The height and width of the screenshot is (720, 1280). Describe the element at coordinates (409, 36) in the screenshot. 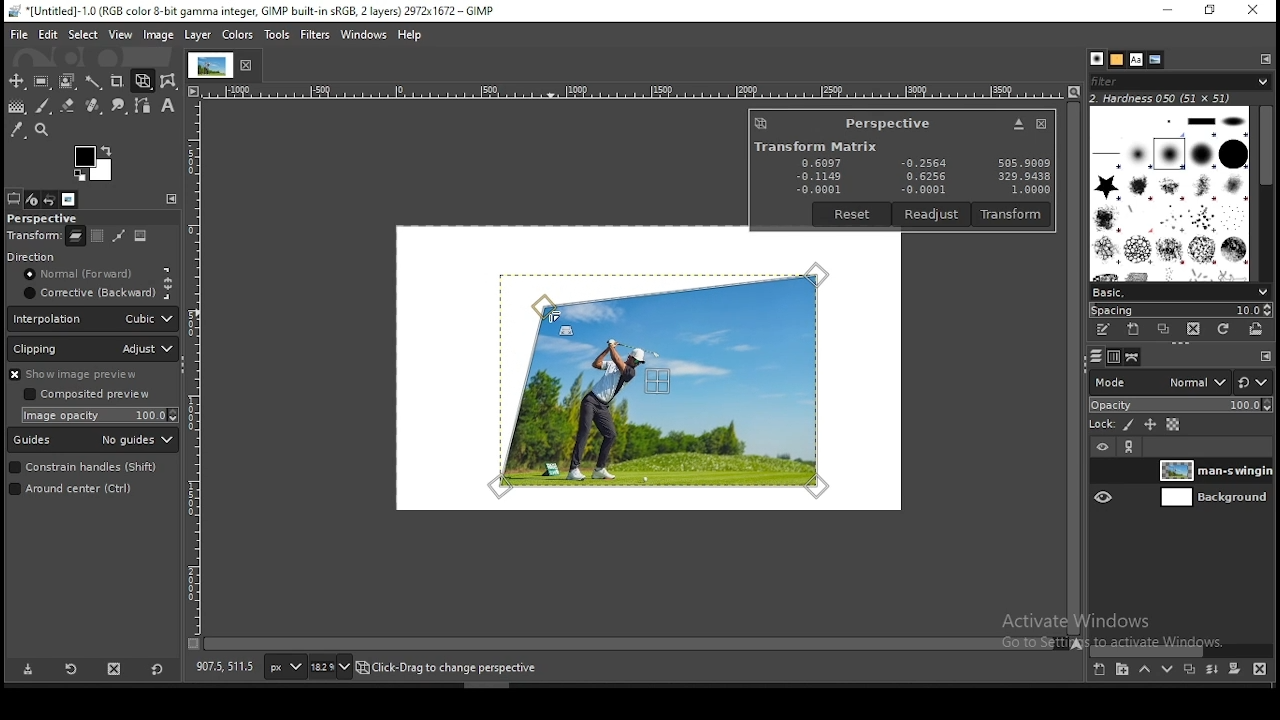

I see `help` at that location.